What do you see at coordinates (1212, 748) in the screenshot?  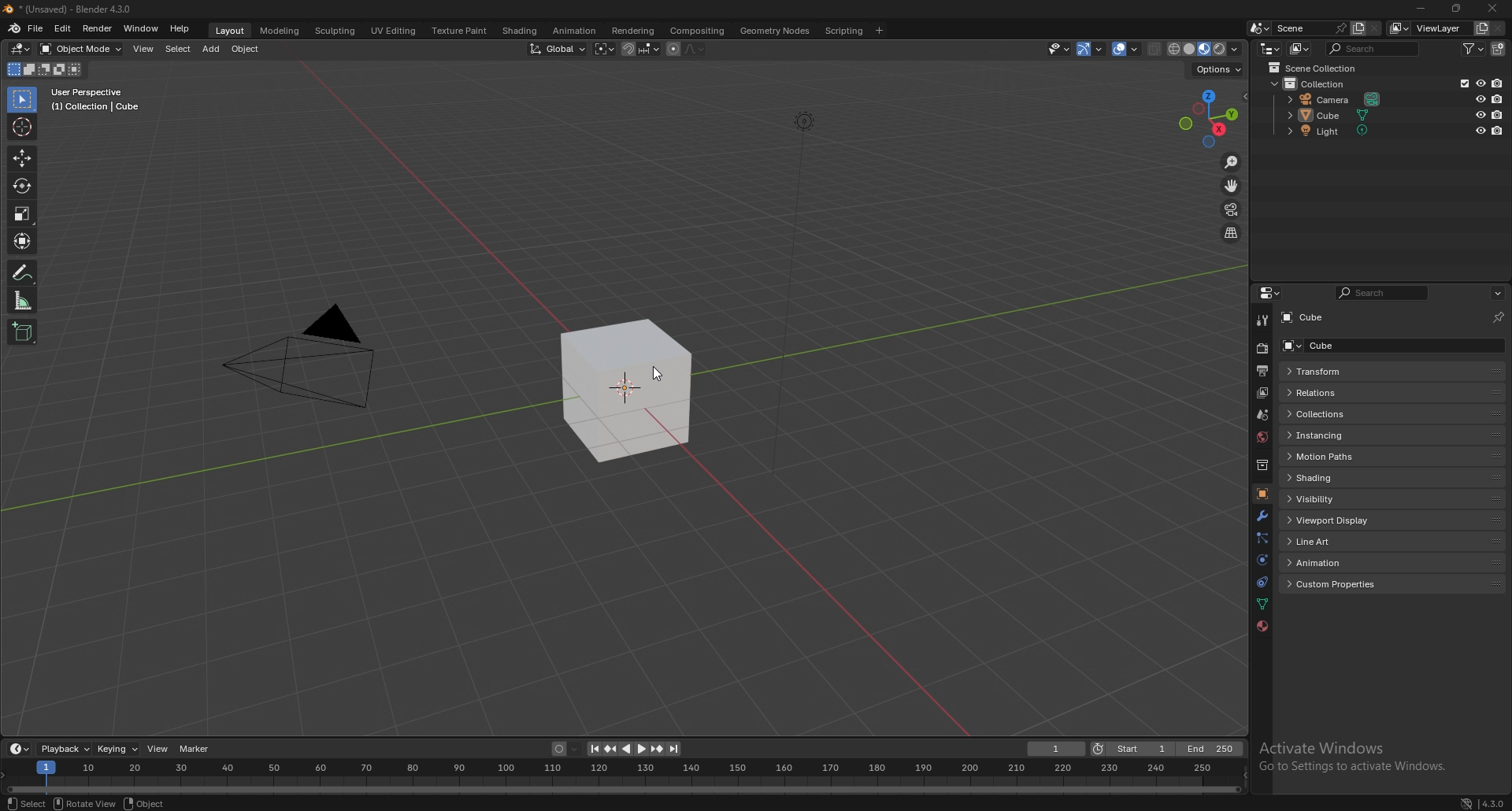 I see `end` at bounding box center [1212, 748].